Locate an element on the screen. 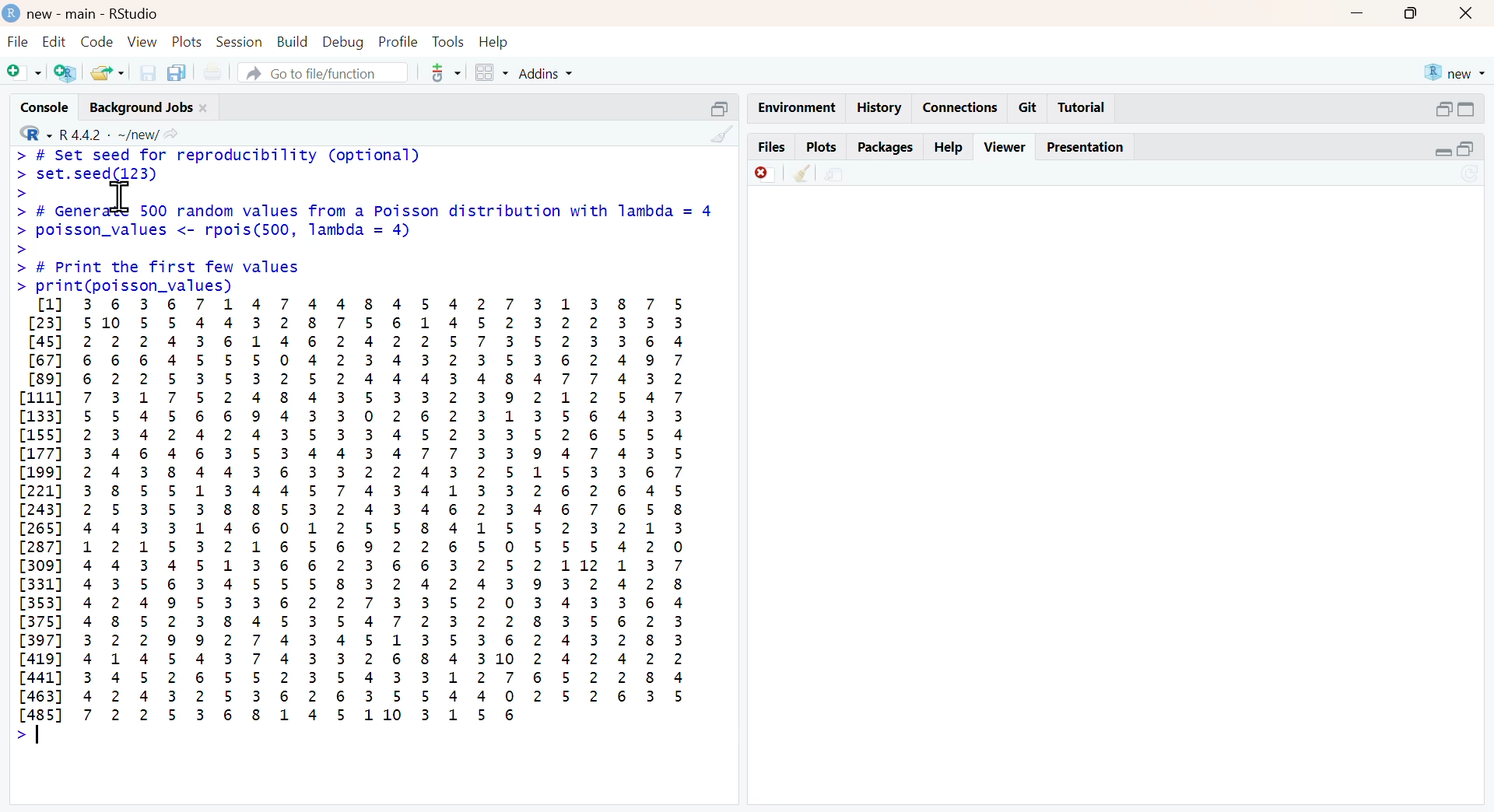 This screenshot has width=1494, height=812. > # Generate 500 random values from a Poisson distribution with lambda = 4> poisson_values <- rpois(500, lambda = 4)>> # Print the first few values> print(poisson_values) is located at coordinates (363, 247).